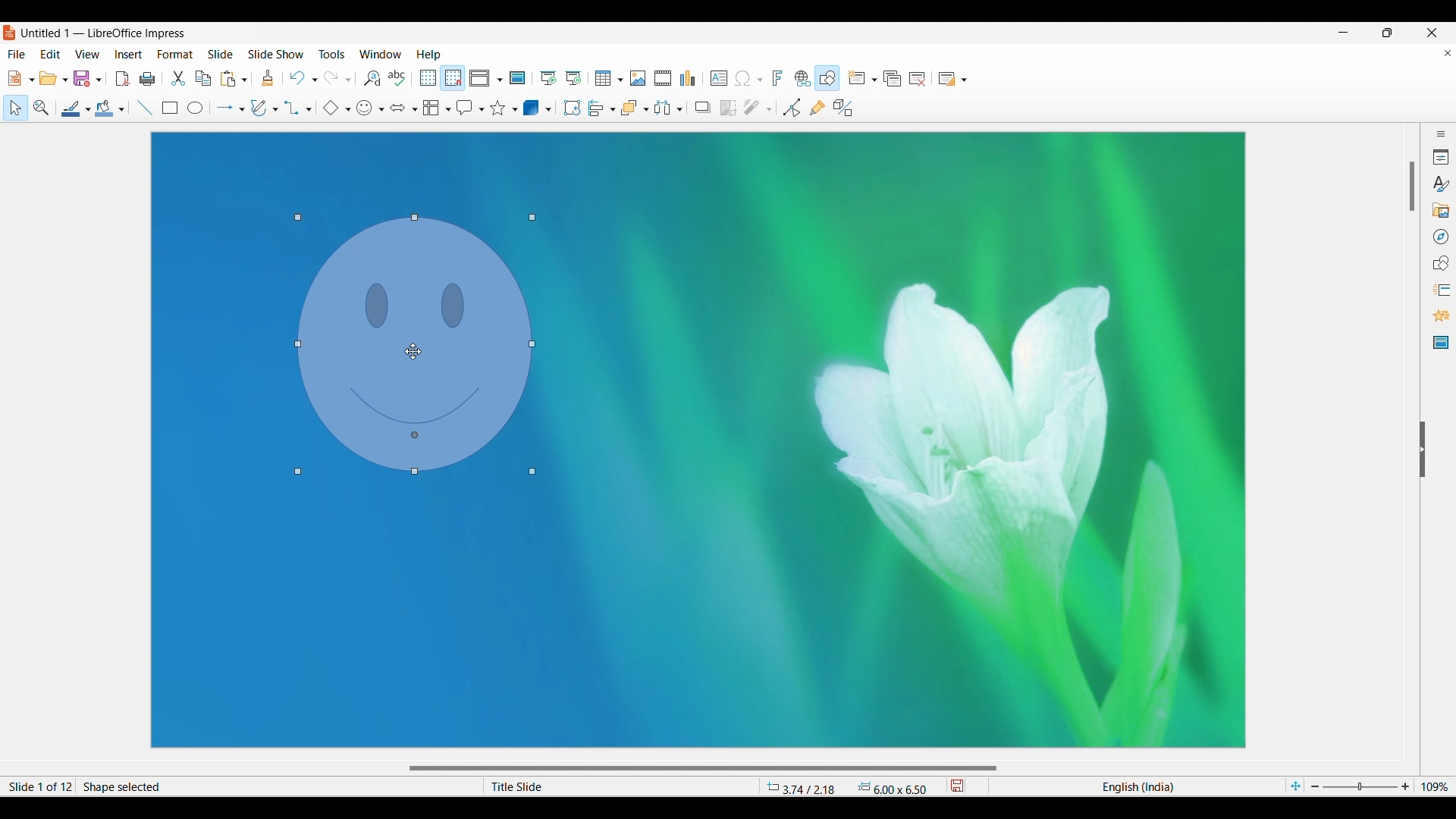 Image resolution: width=1456 pixels, height=819 pixels. What do you see at coordinates (1132, 785) in the screenshot?
I see `English (India)` at bounding box center [1132, 785].